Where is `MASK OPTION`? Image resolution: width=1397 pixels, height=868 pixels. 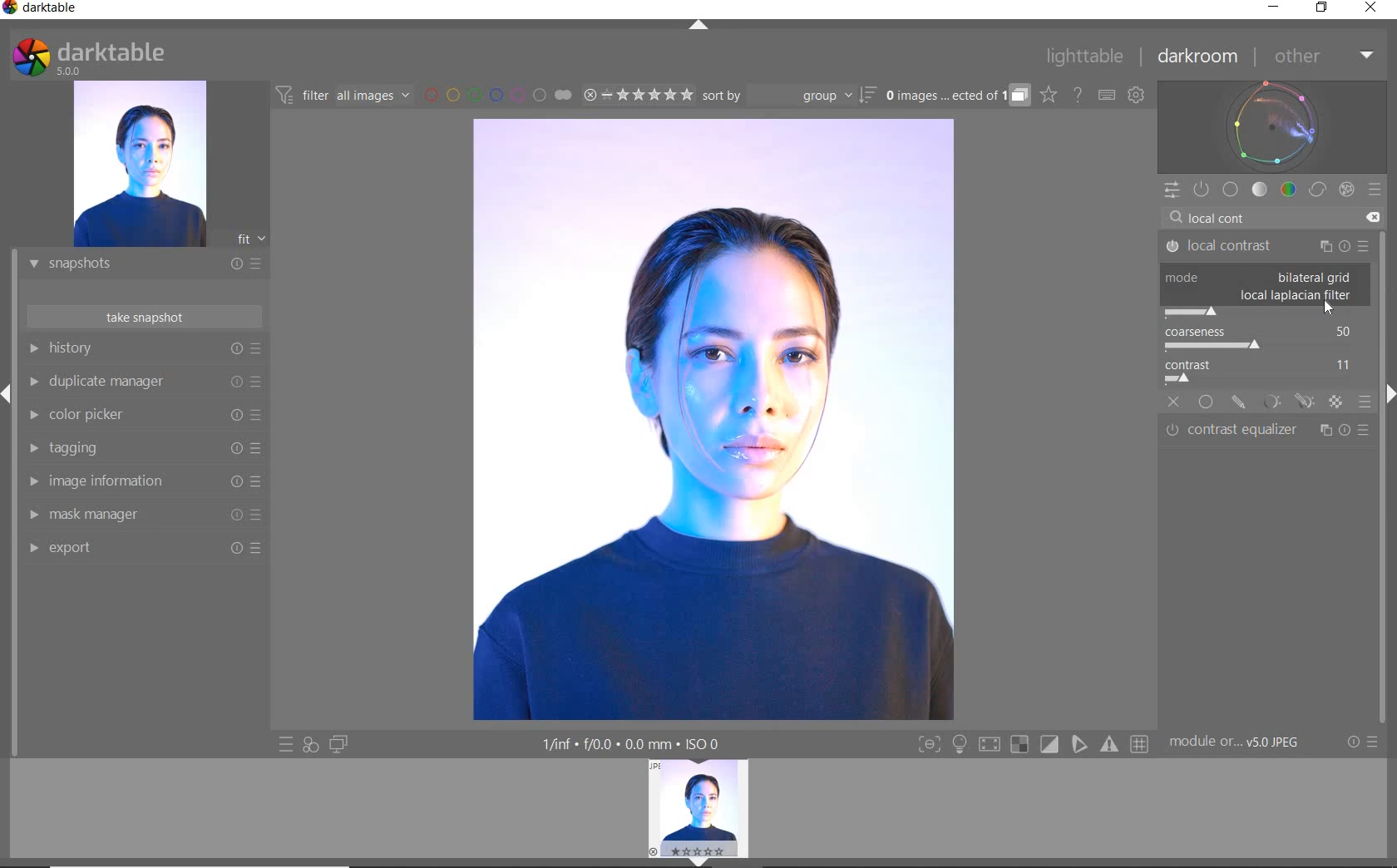 MASK OPTION is located at coordinates (1335, 403).